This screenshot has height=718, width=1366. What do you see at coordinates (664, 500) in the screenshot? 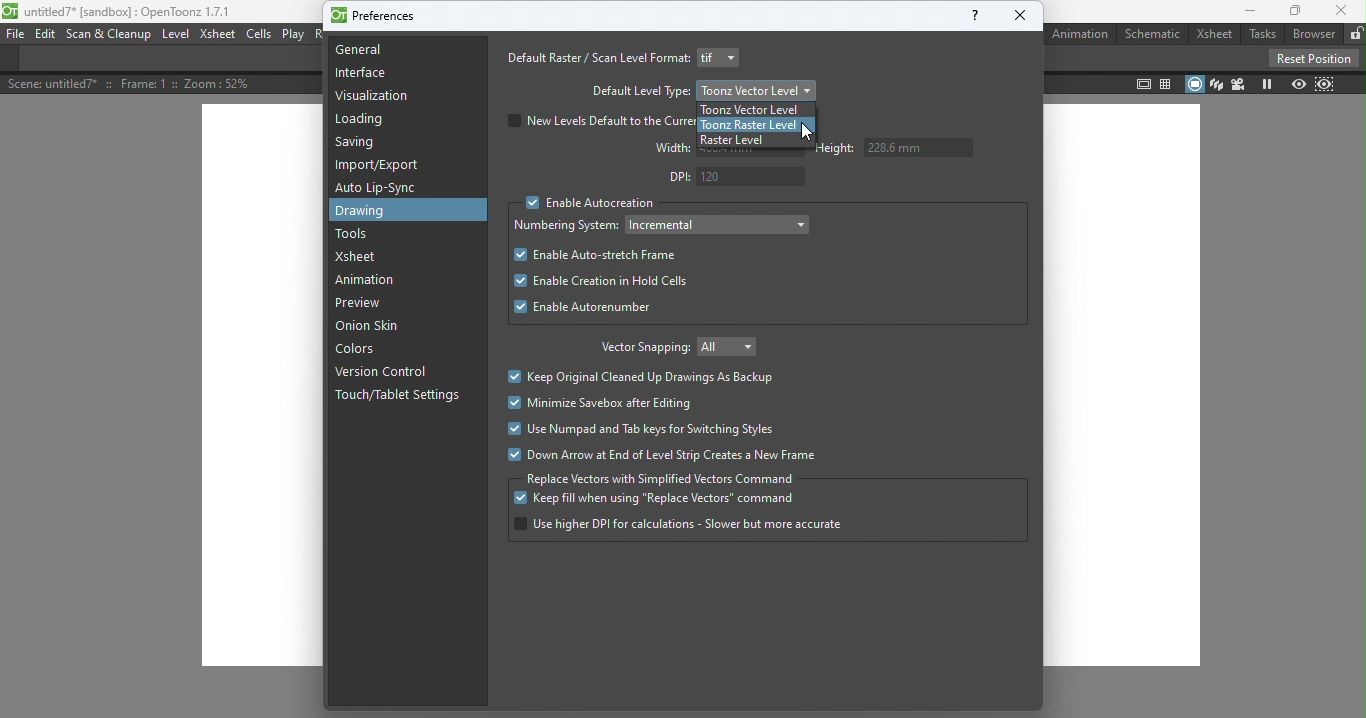
I see `Keep fill when using "Replace vectors"" command` at bounding box center [664, 500].